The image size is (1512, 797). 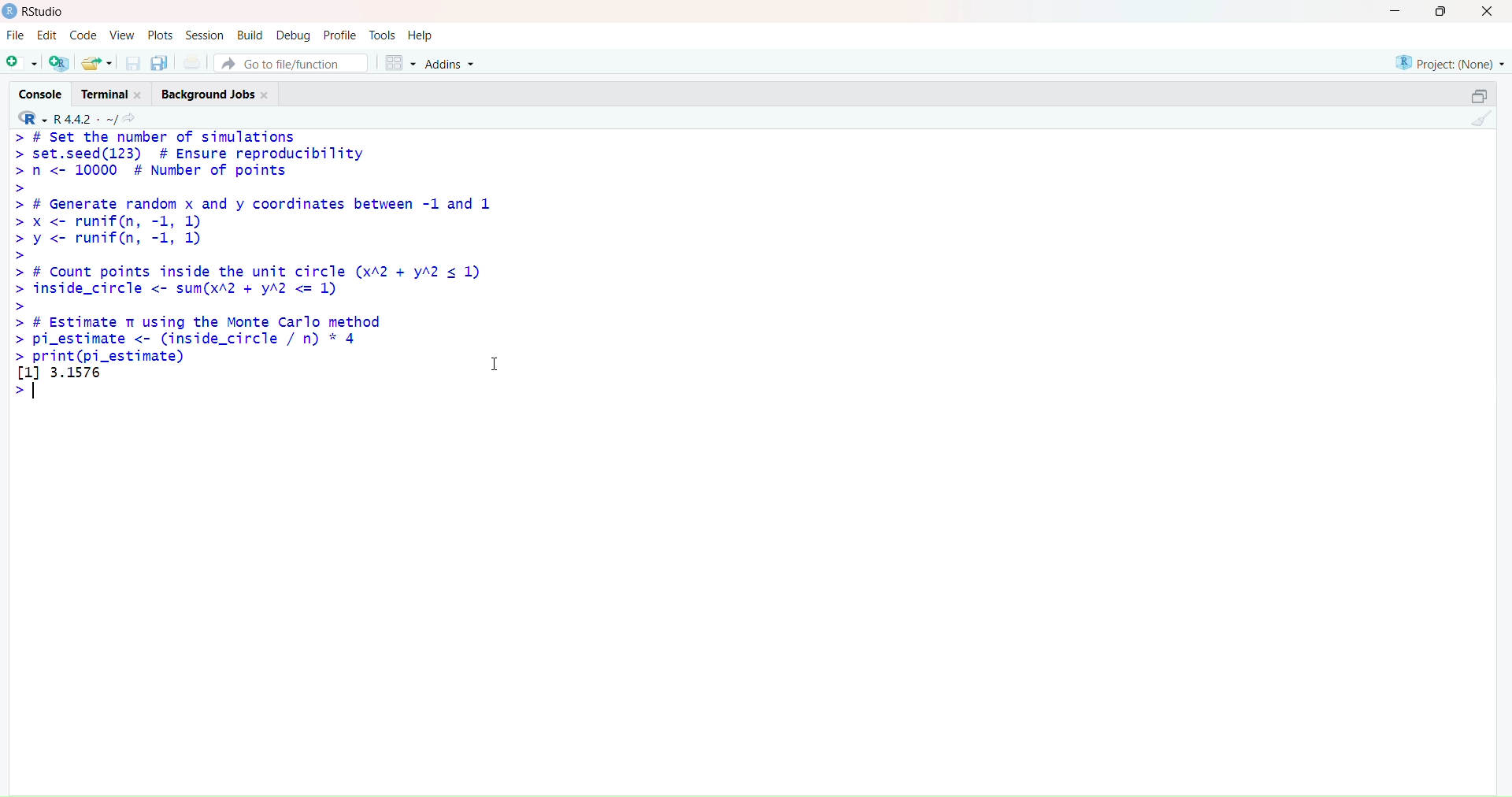 What do you see at coordinates (18, 35) in the screenshot?
I see `File` at bounding box center [18, 35].